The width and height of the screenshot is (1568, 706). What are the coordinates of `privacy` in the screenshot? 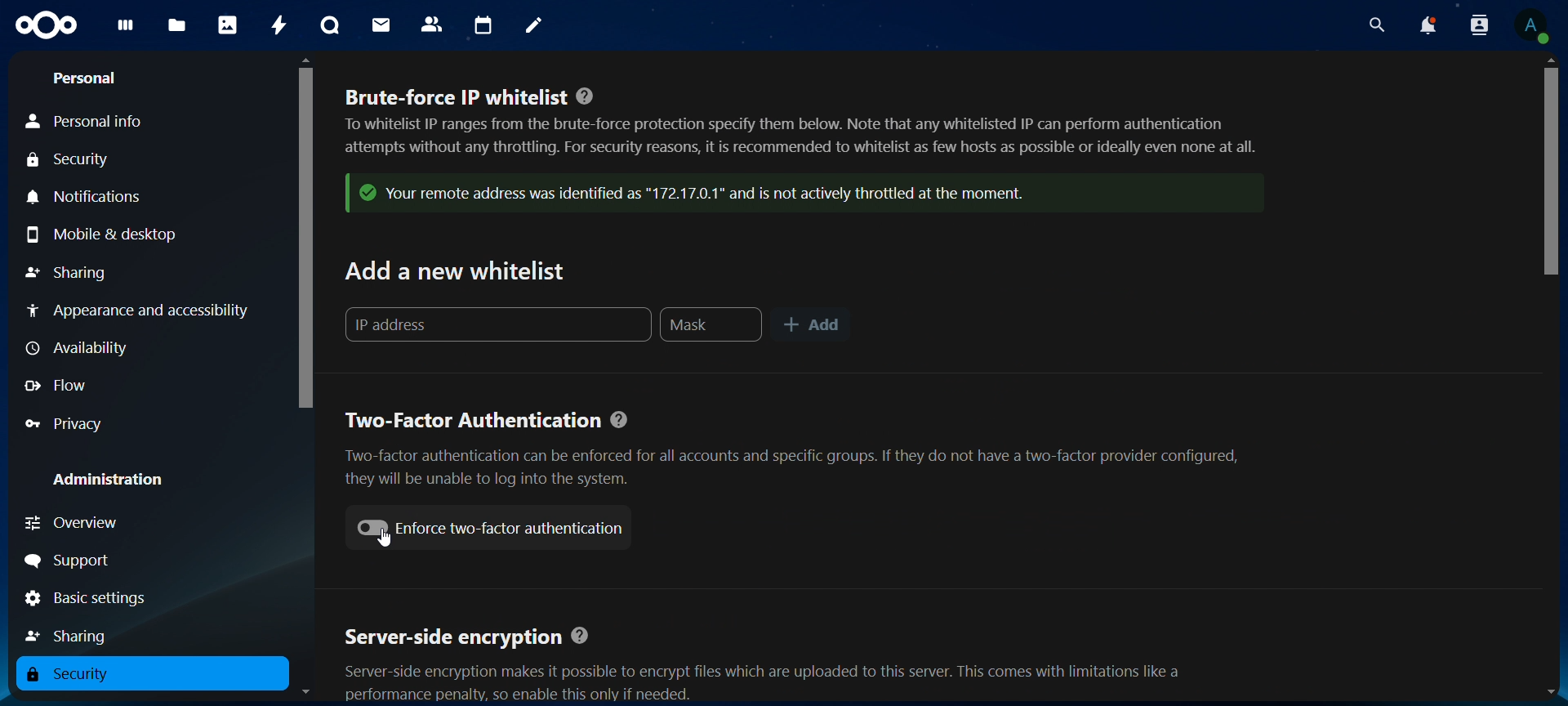 It's located at (65, 425).